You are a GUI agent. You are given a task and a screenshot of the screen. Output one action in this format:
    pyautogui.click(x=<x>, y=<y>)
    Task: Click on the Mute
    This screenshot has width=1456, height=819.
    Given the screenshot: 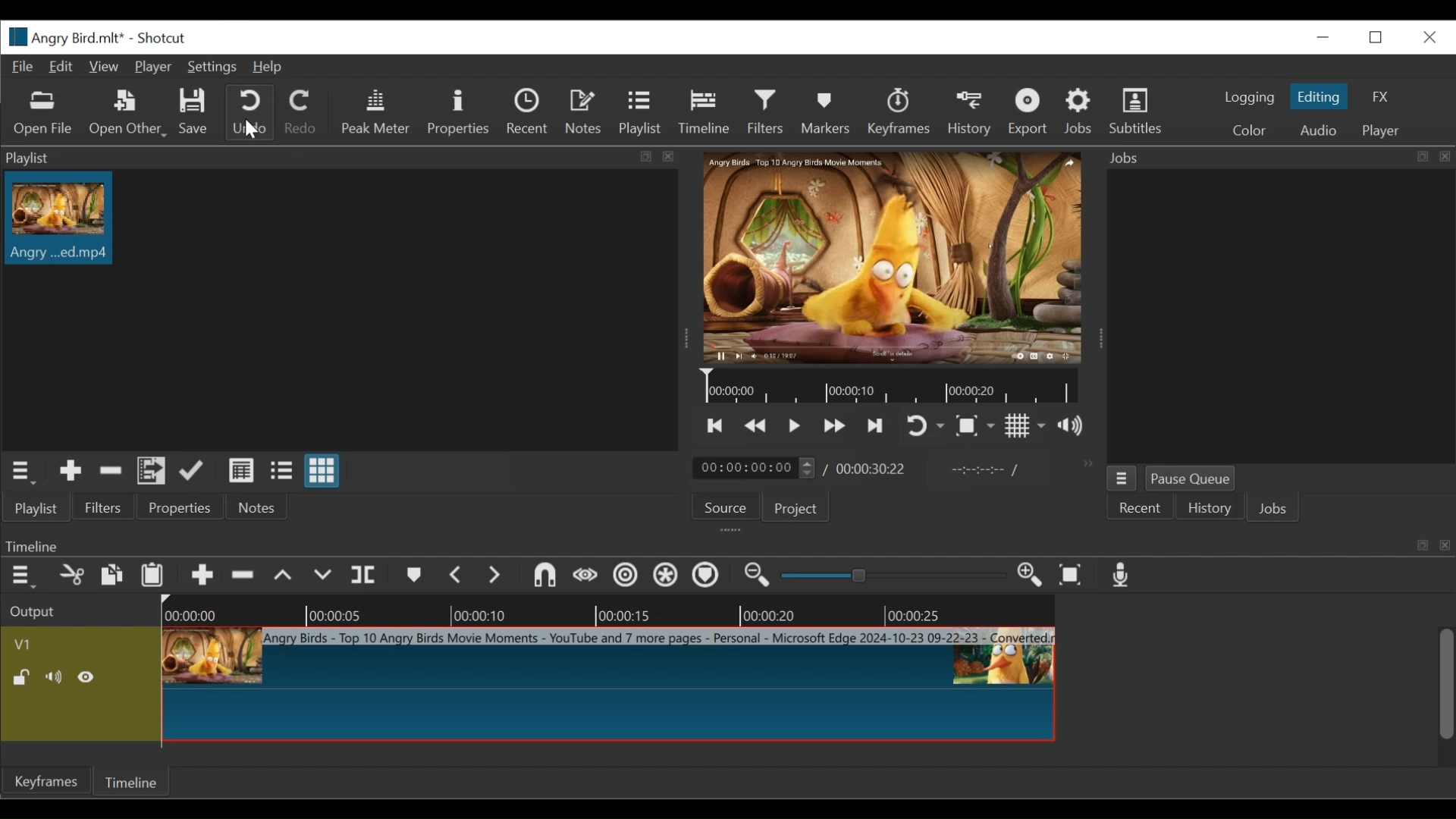 What is the action you would take?
    pyautogui.click(x=56, y=677)
    